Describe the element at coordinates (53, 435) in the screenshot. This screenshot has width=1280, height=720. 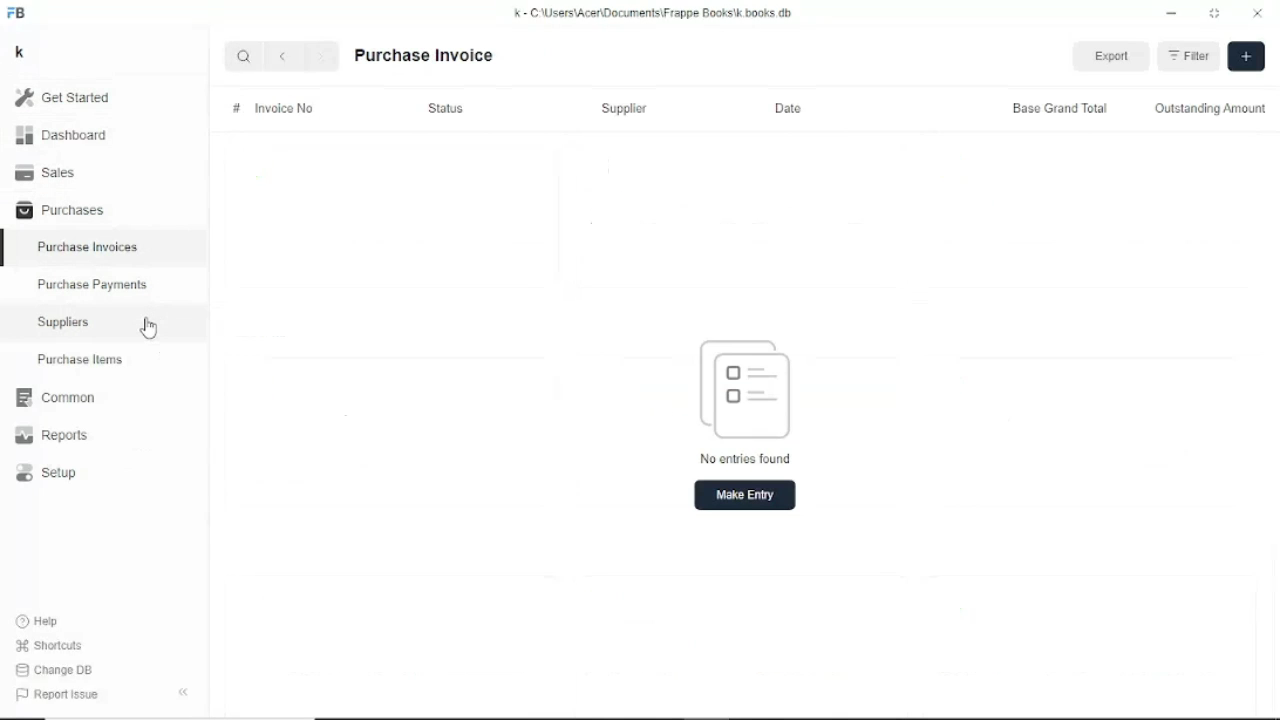
I see `Reports` at that location.